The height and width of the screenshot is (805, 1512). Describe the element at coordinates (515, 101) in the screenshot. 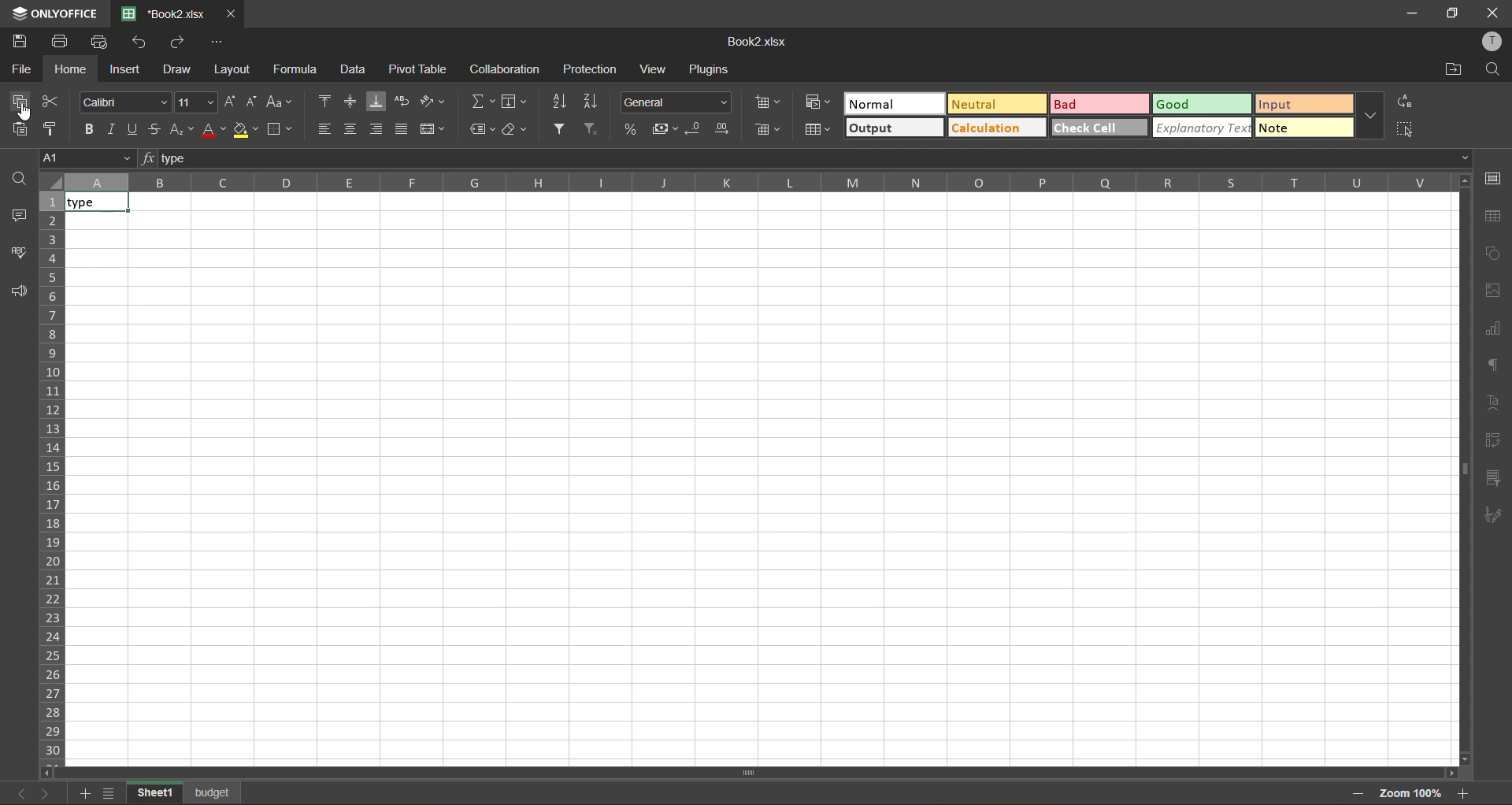

I see `fields` at that location.